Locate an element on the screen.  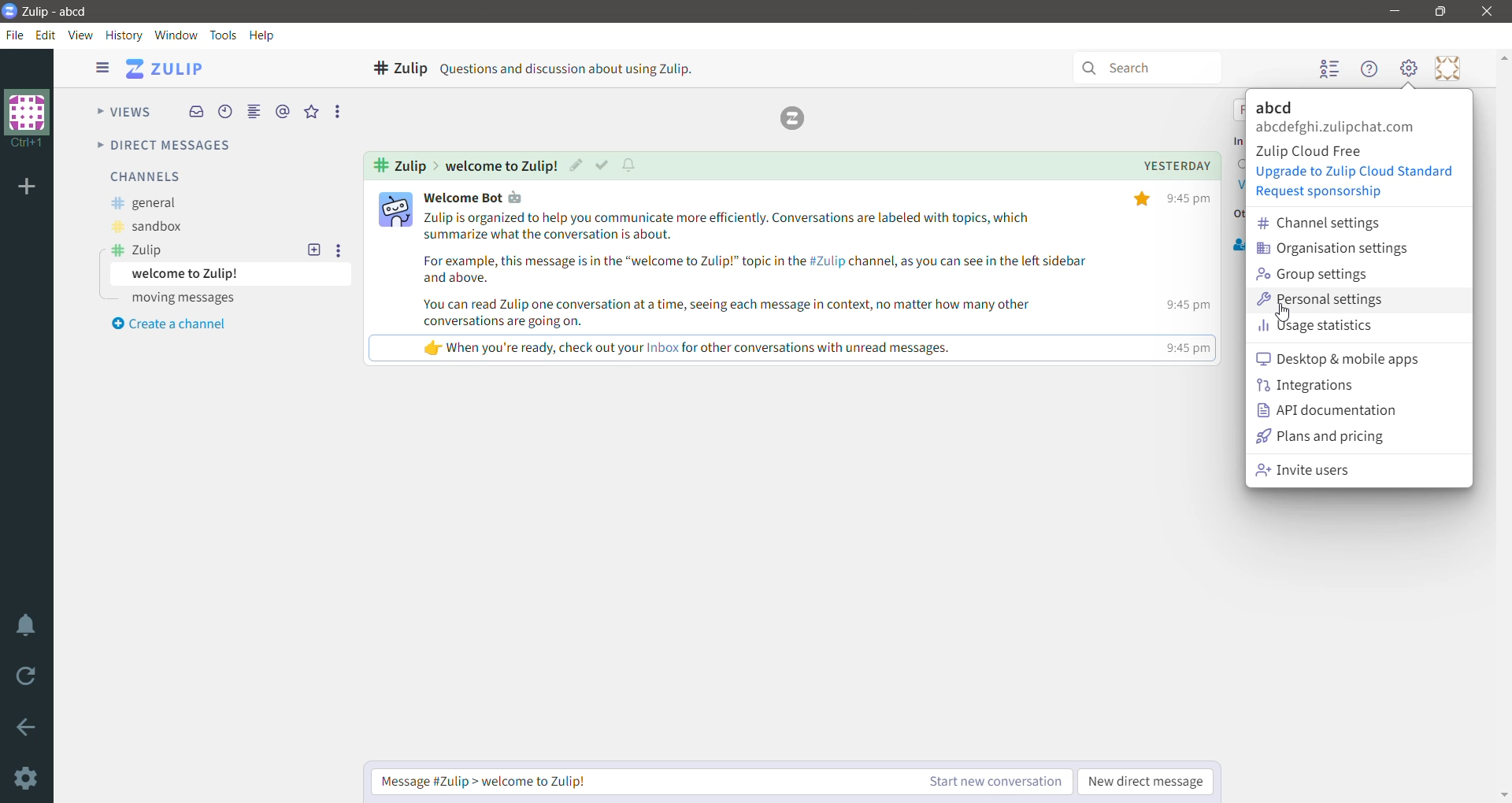
Usage statistics is located at coordinates (1321, 327).